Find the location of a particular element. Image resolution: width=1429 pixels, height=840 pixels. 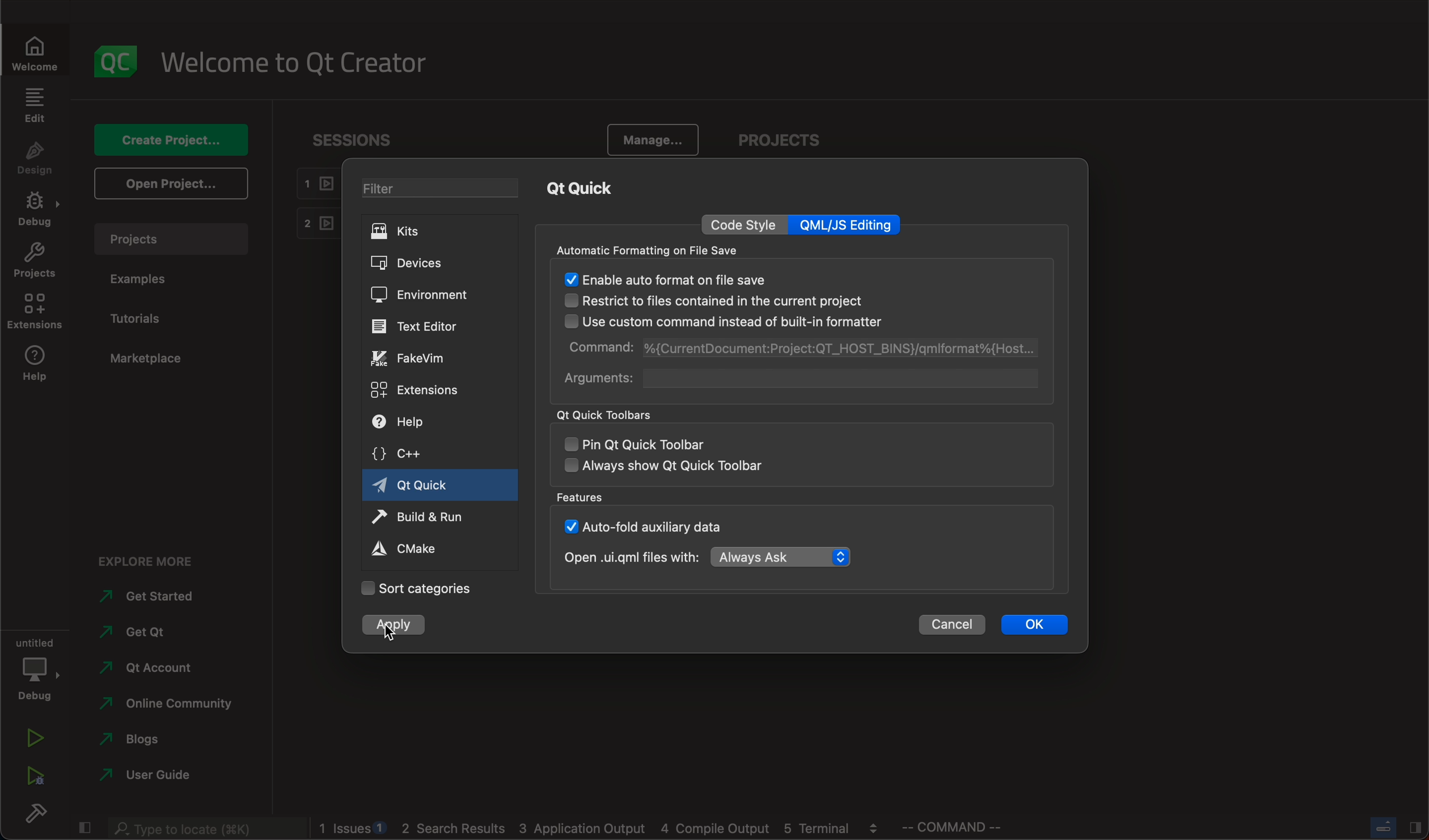

kits is located at coordinates (445, 232).